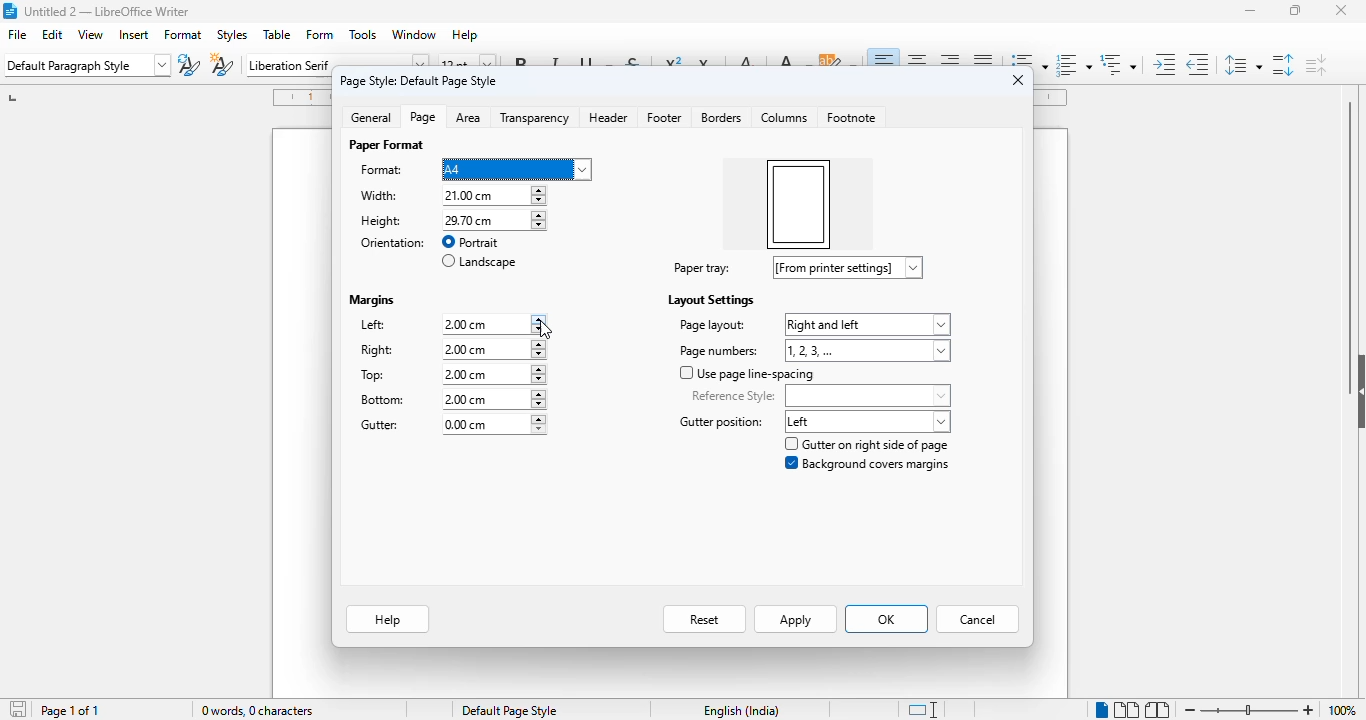 The height and width of the screenshot is (720, 1366). Describe the element at coordinates (517, 171) in the screenshot. I see `format options dropdown` at that location.